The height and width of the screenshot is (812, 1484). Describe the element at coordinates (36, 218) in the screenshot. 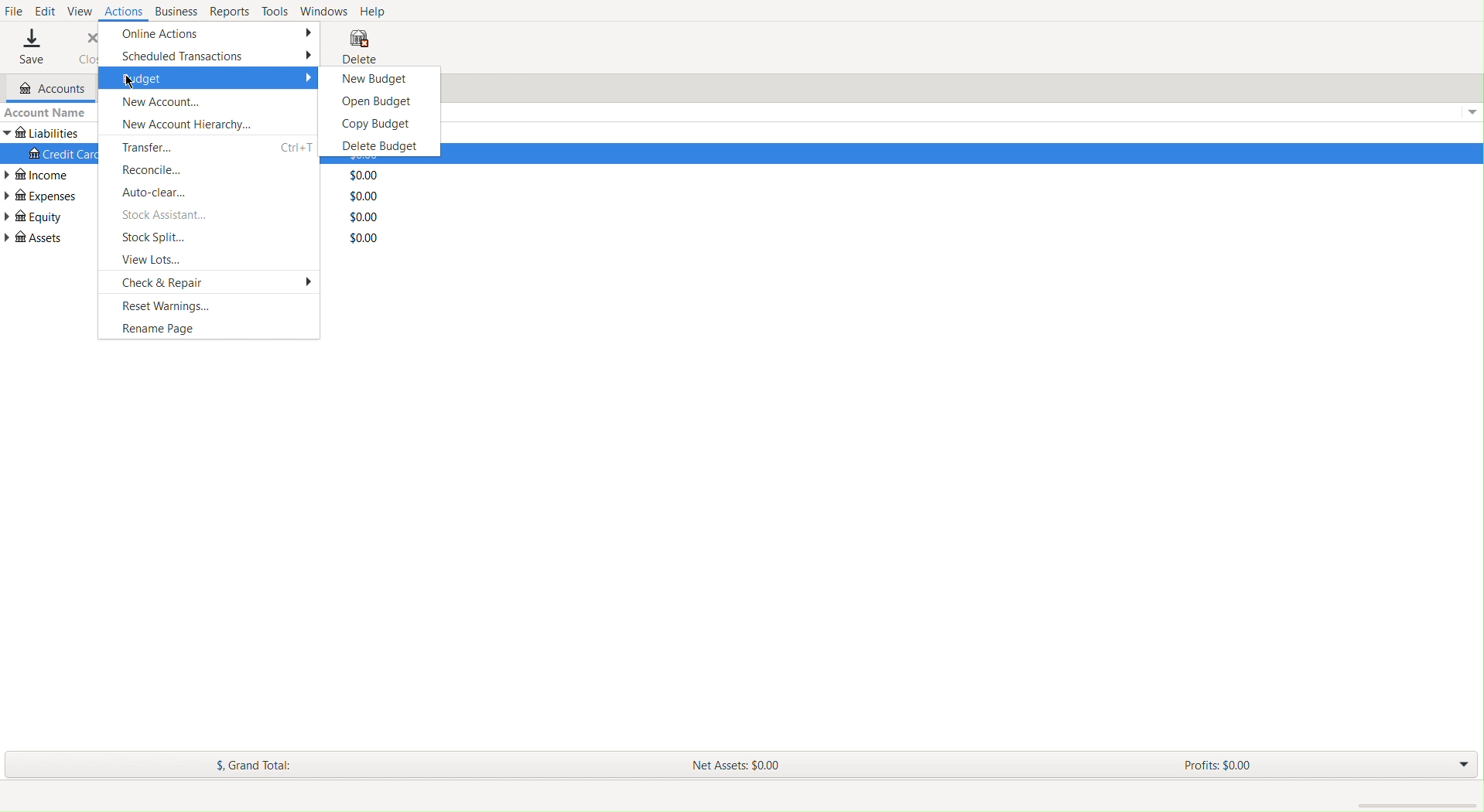

I see `Equity` at that location.